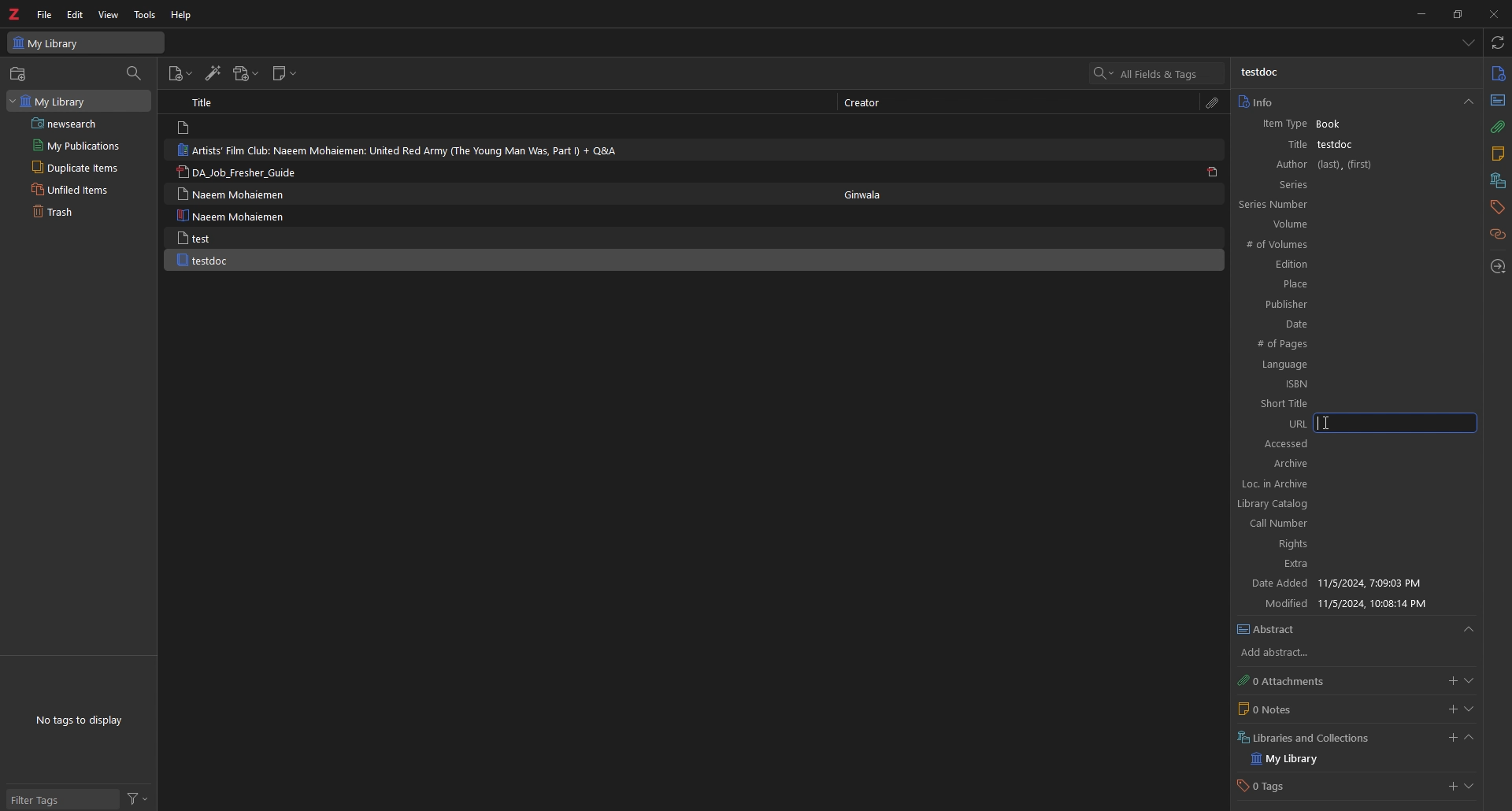 Image resolution: width=1512 pixels, height=811 pixels. What do you see at coordinates (1449, 788) in the screenshot?
I see `add tags` at bounding box center [1449, 788].